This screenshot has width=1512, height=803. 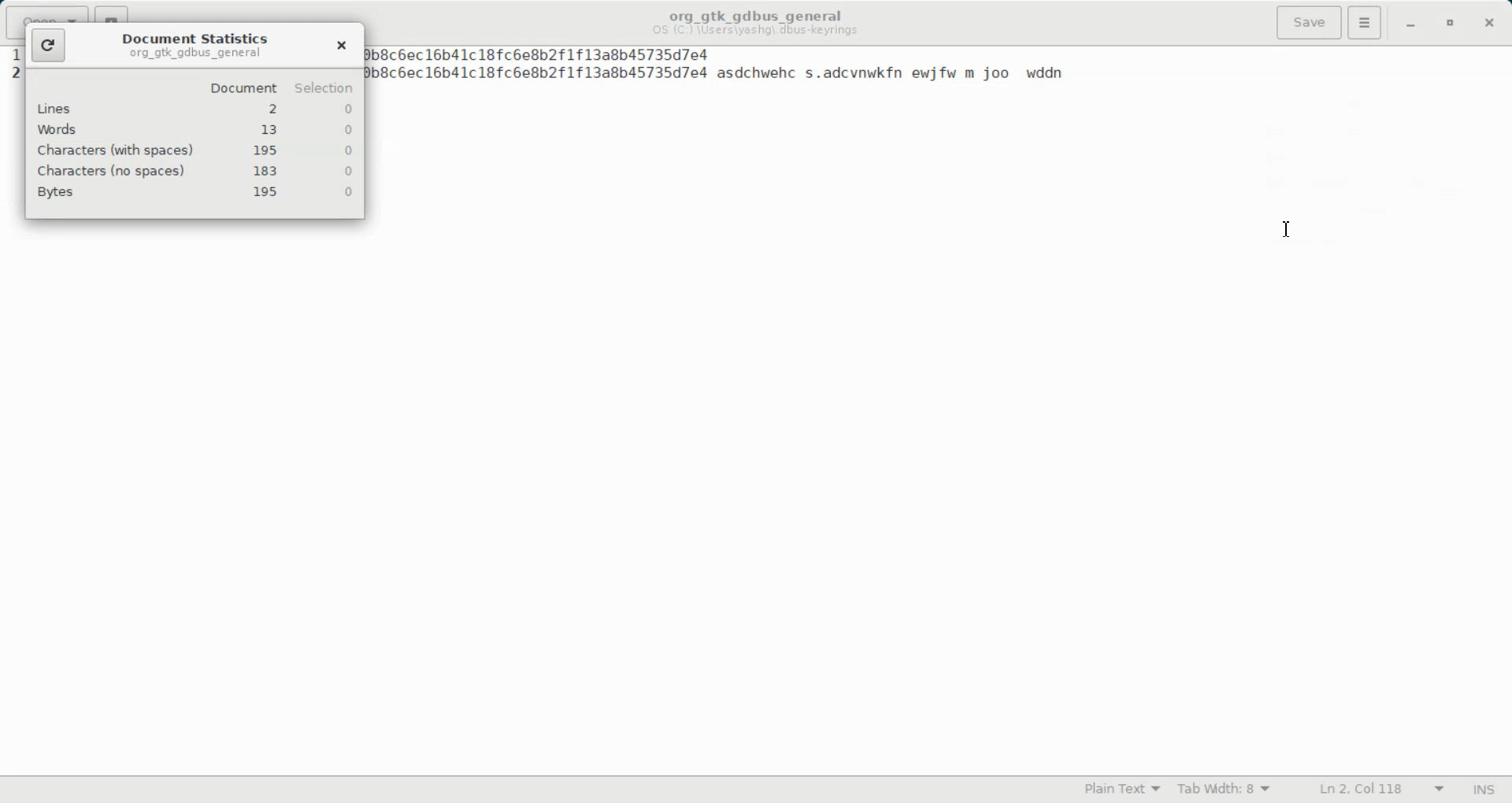 What do you see at coordinates (1308, 23) in the screenshot?
I see `Save` at bounding box center [1308, 23].